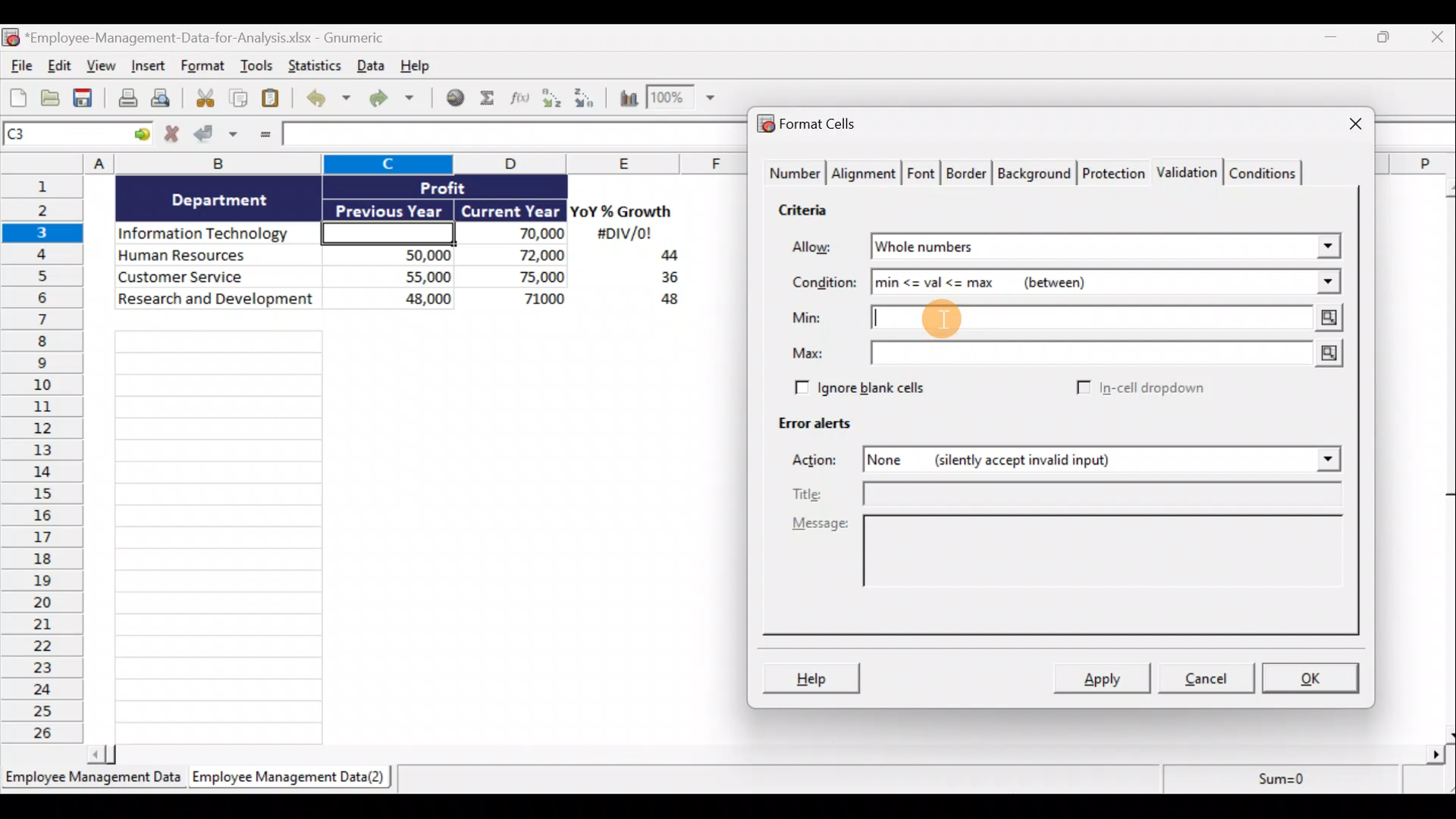 This screenshot has width=1456, height=819. What do you see at coordinates (1268, 172) in the screenshot?
I see `Conditions` at bounding box center [1268, 172].